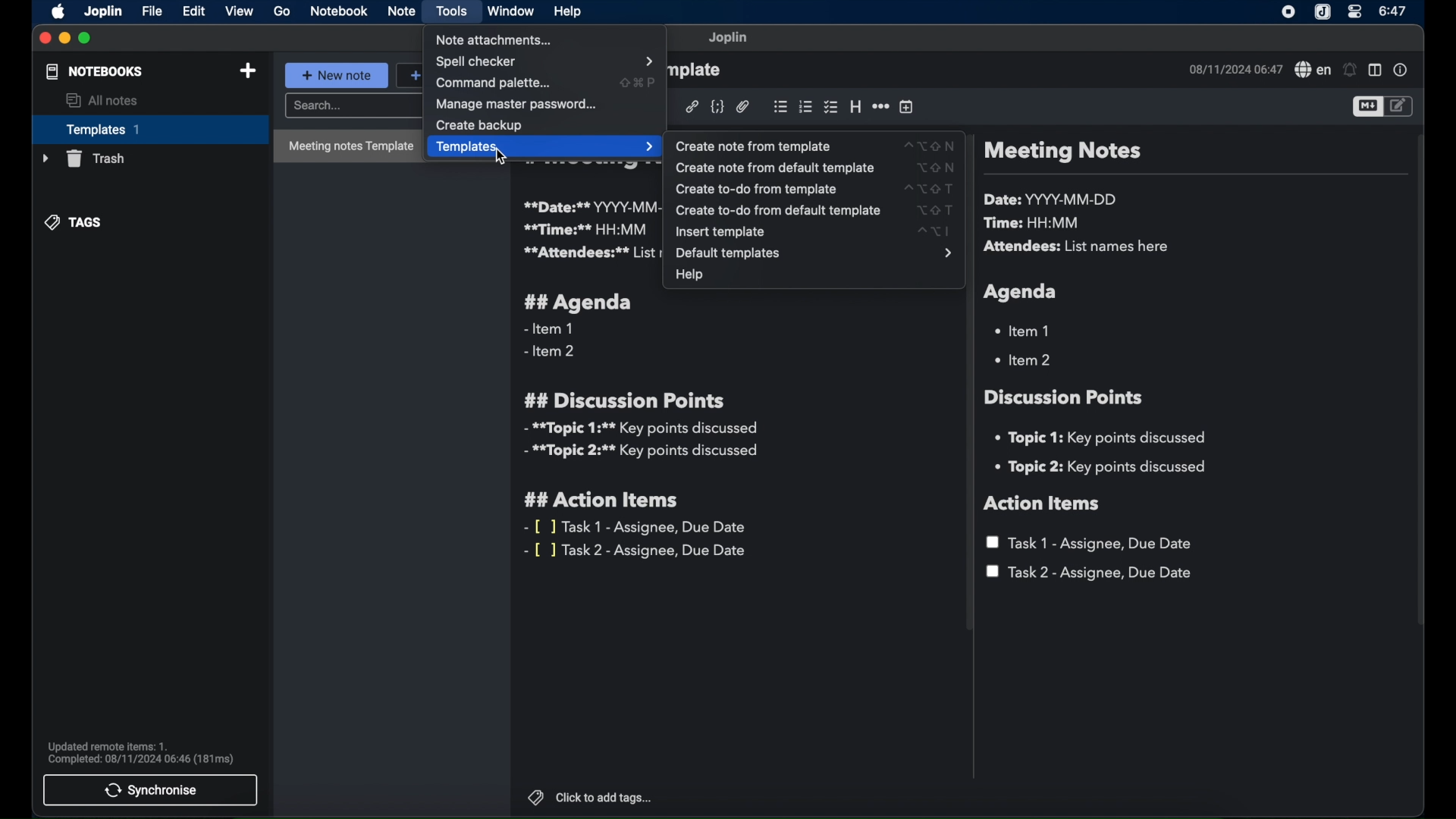  Describe the element at coordinates (689, 277) in the screenshot. I see `help` at that location.